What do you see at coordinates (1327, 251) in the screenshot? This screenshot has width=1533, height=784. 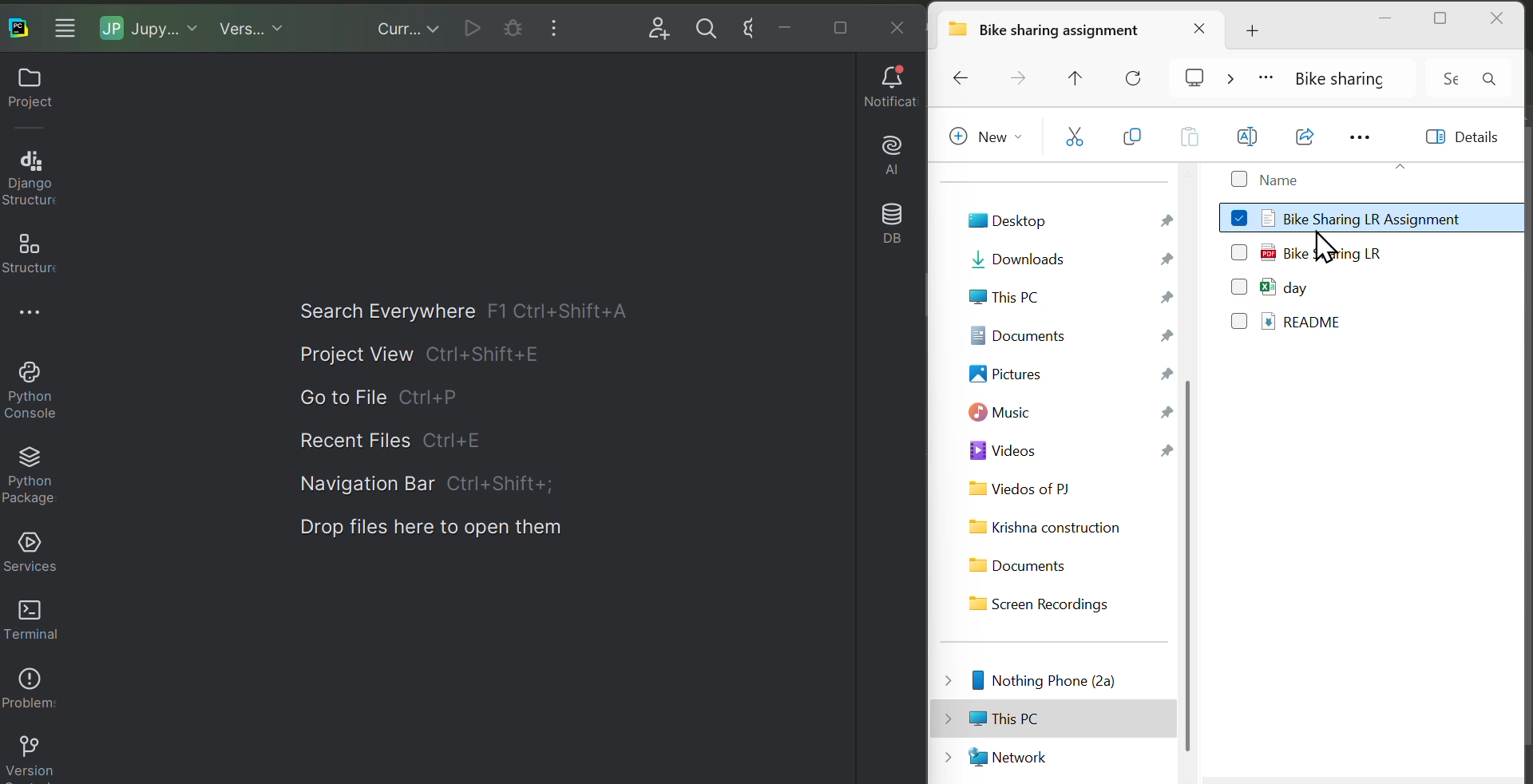 I see `Bike Sharing LR` at bounding box center [1327, 251].